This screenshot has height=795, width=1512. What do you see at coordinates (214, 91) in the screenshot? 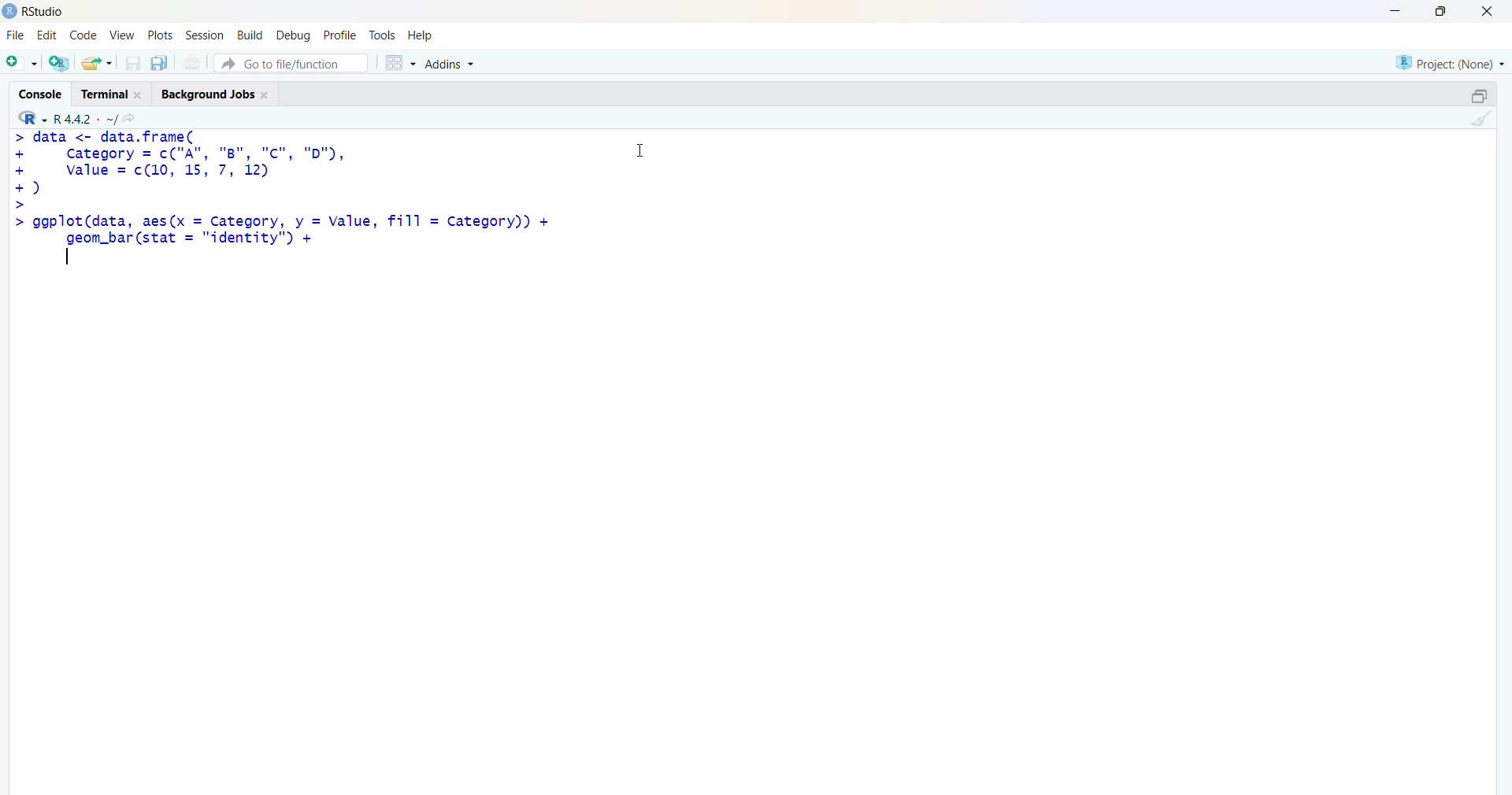
I see `Background Jobs` at bounding box center [214, 91].